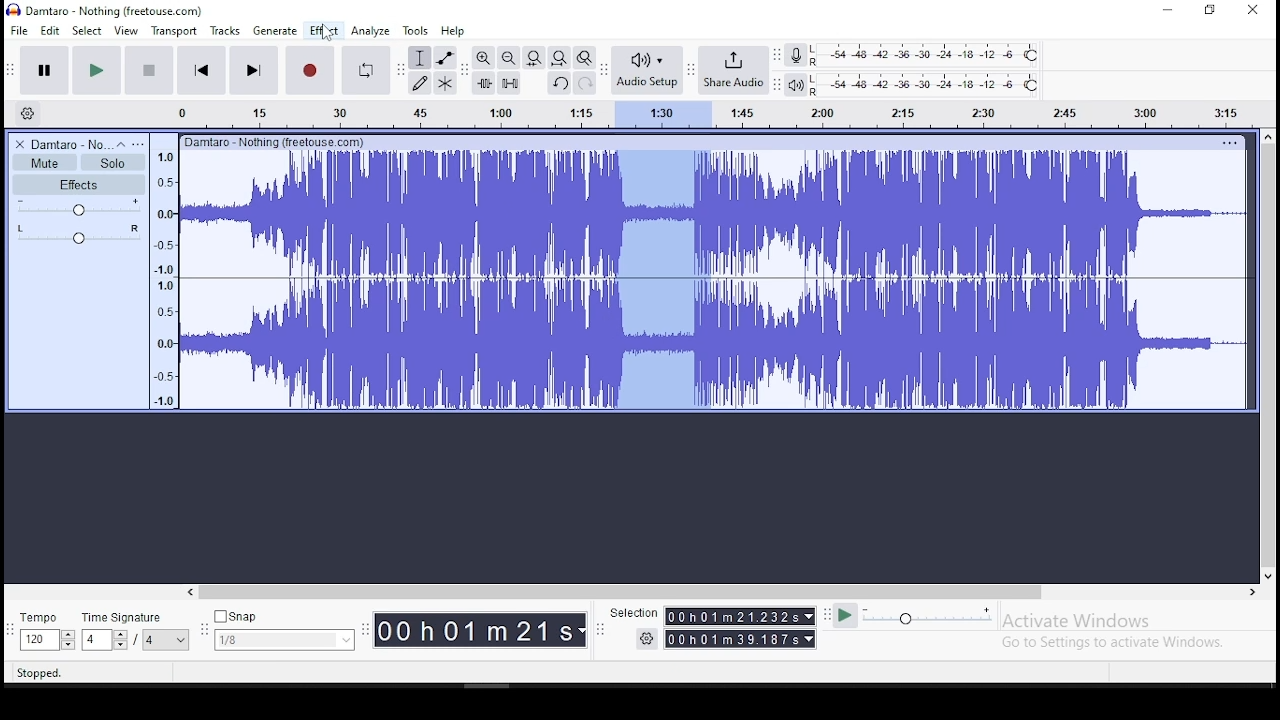  I want to click on Cursor, so click(326, 34).